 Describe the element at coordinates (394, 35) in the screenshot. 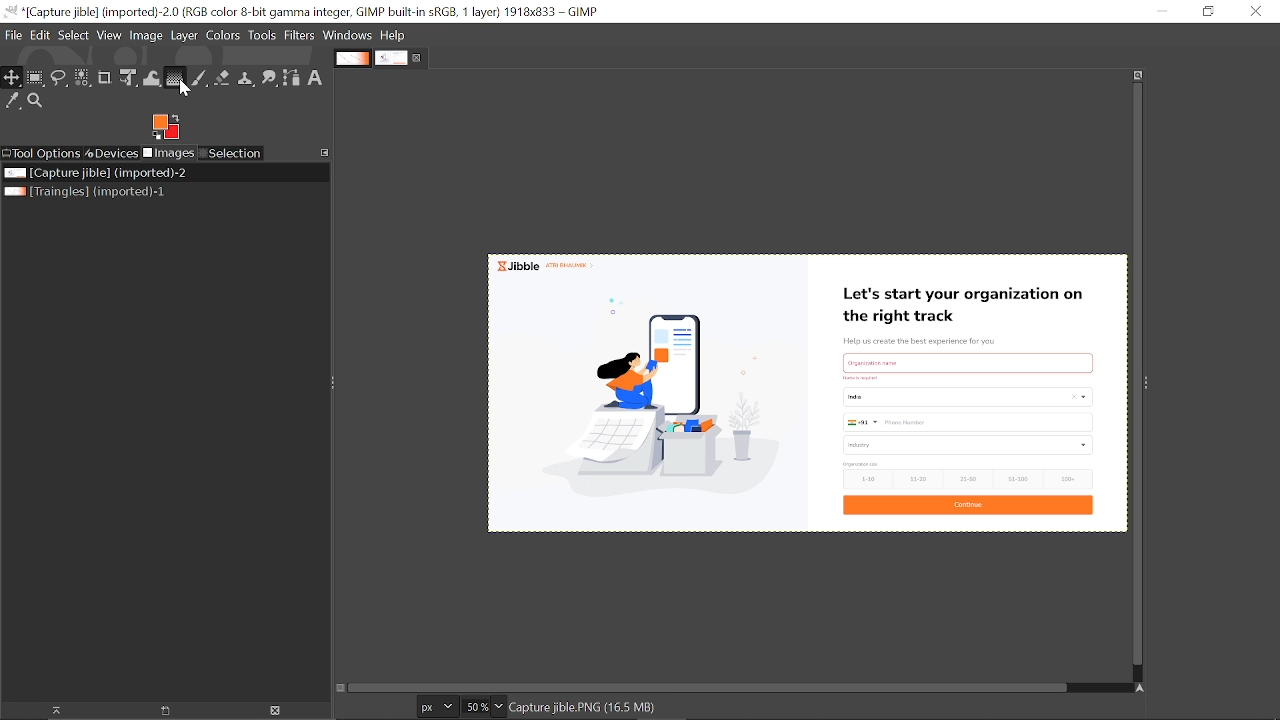

I see `Help` at that location.